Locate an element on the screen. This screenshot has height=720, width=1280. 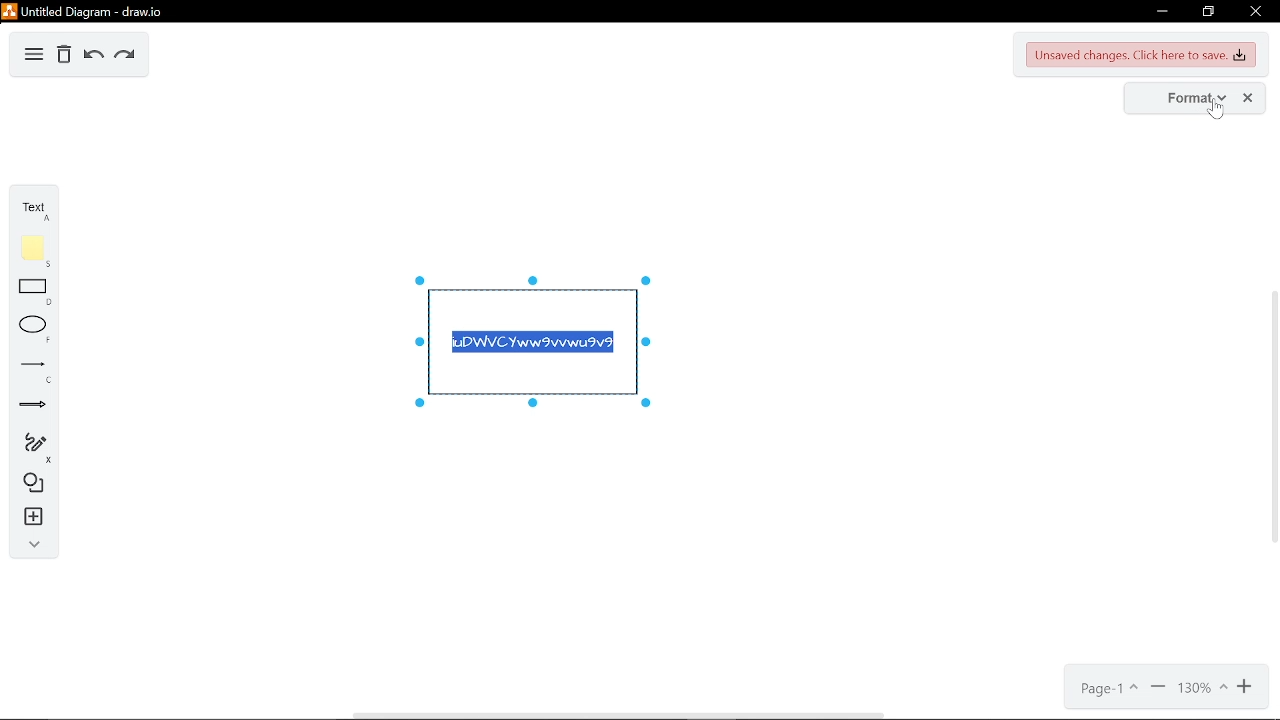
diagram is located at coordinates (34, 56).